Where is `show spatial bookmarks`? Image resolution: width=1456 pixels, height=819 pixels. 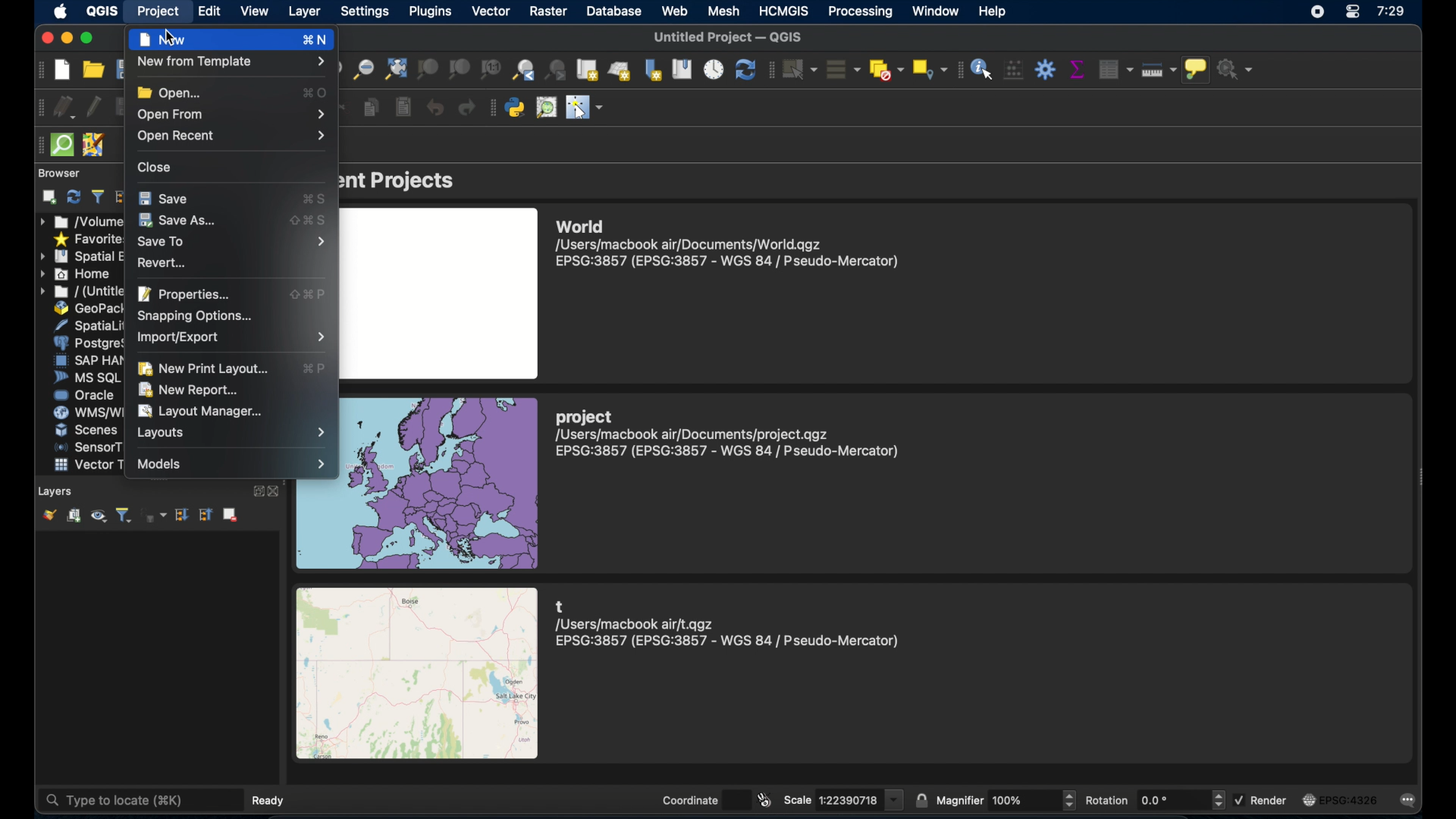
show spatial bookmarks is located at coordinates (682, 70).